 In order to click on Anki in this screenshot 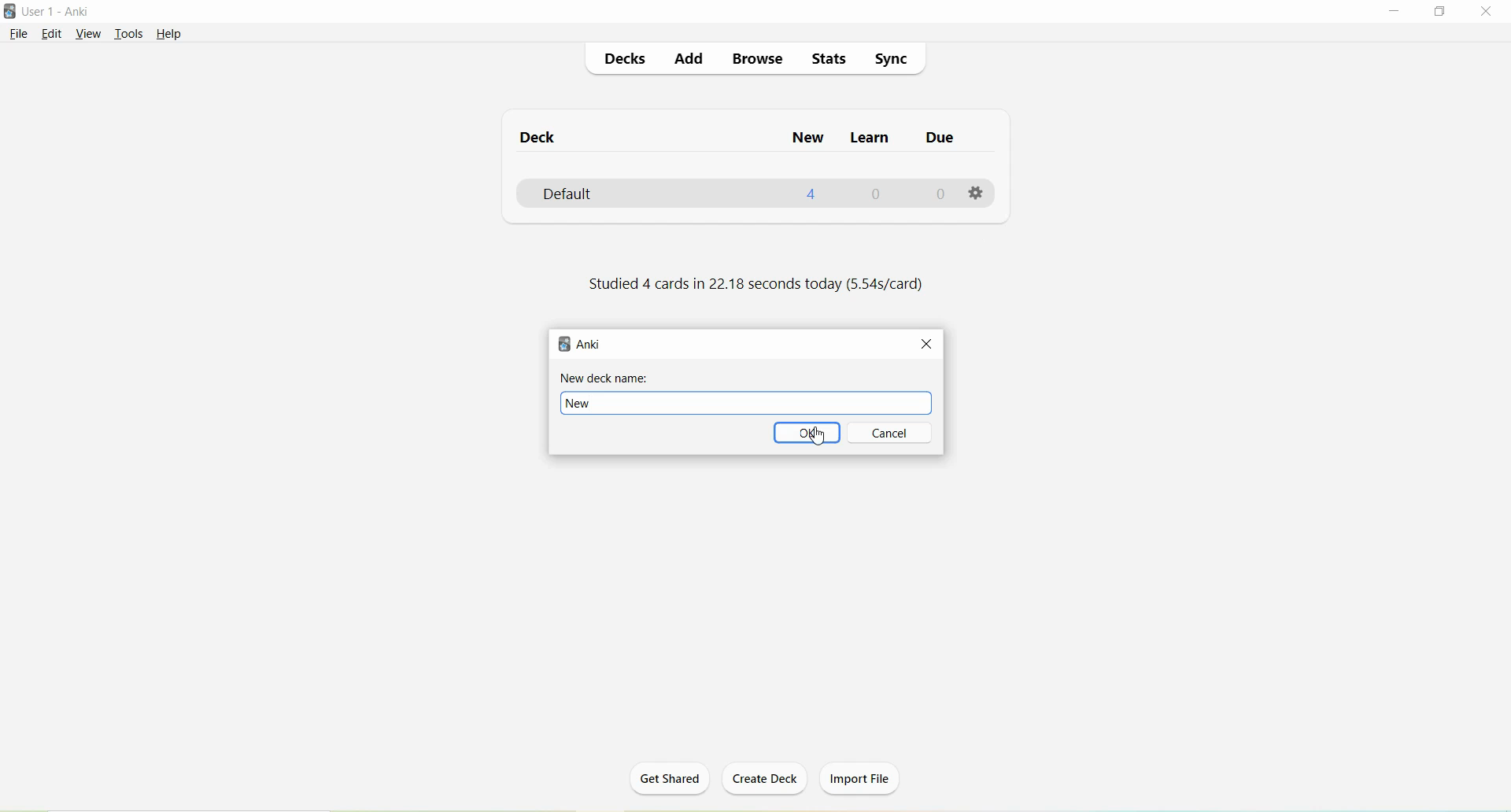, I will do `click(580, 343)`.